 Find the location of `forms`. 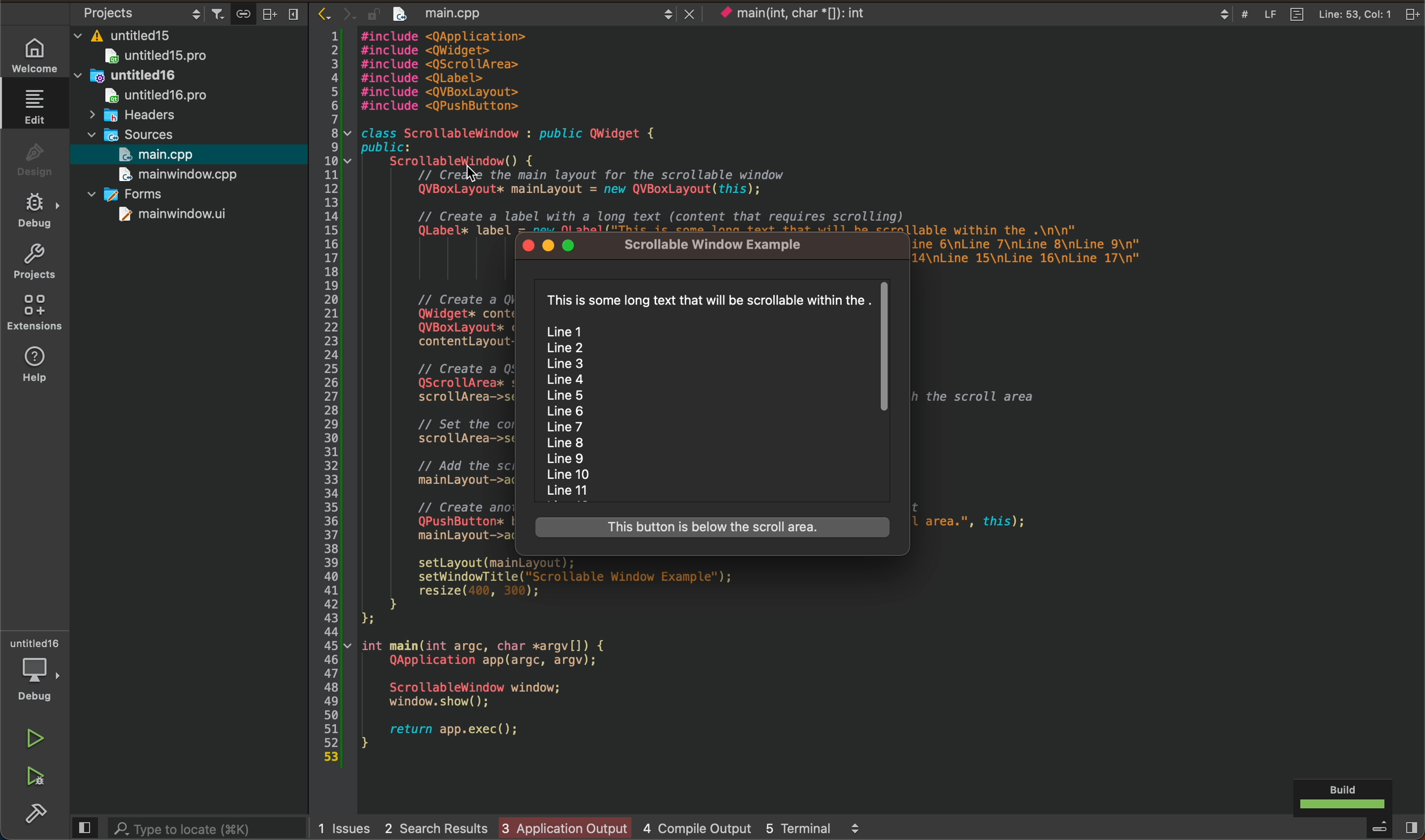

forms is located at coordinates (144, 196).